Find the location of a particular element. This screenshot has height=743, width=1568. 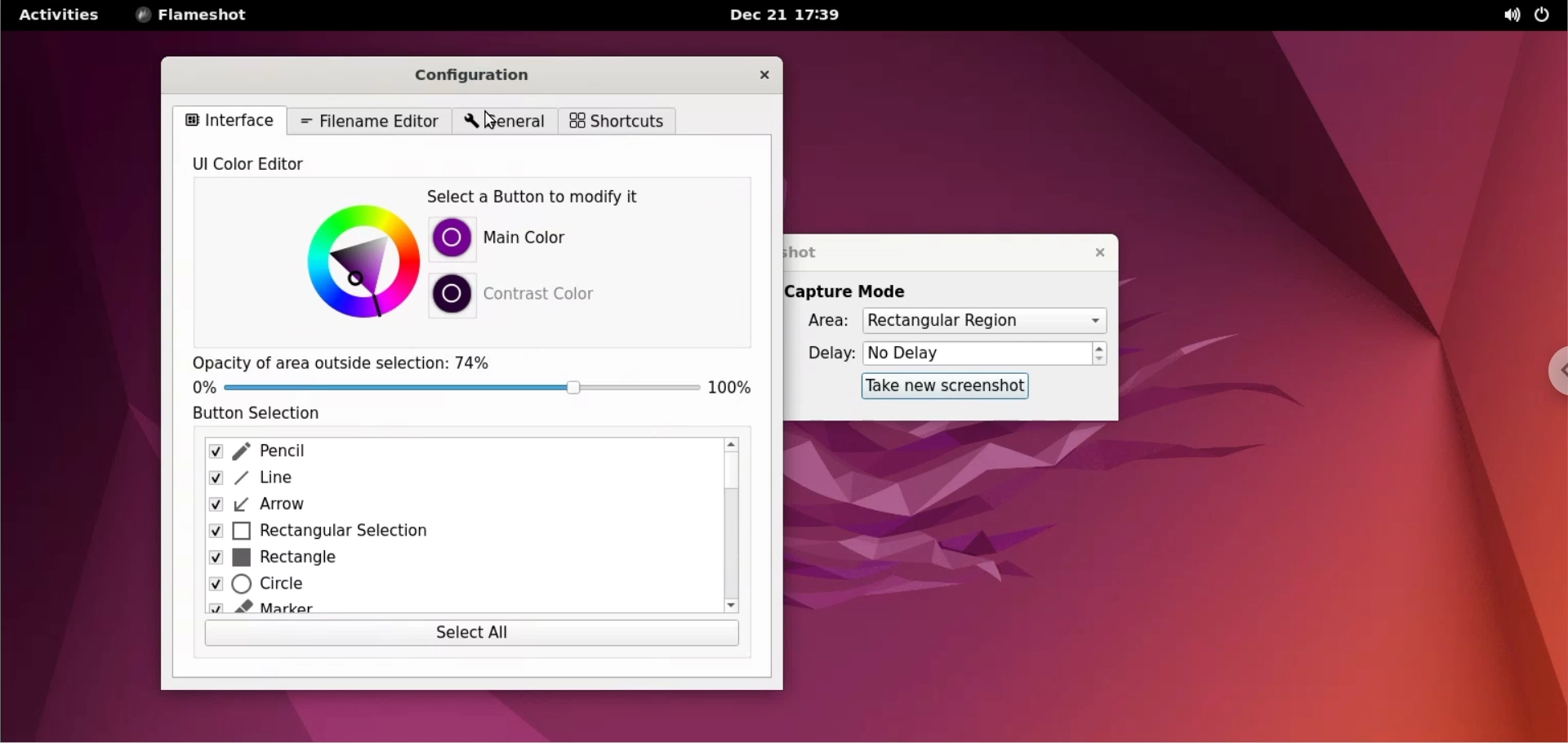

color picker is located at coordinates (357, 259).